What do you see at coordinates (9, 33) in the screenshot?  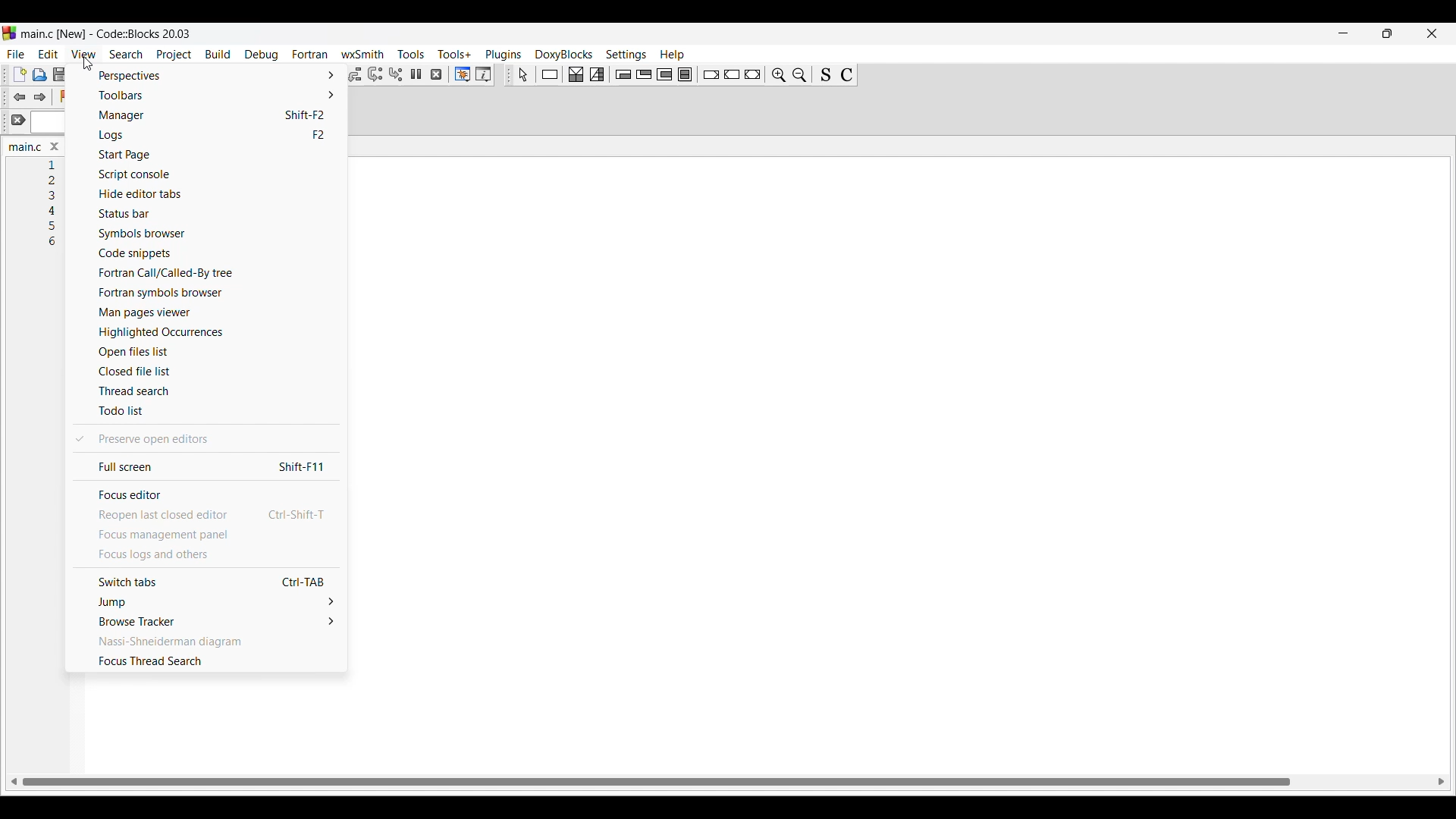 I see `Software logo` at bounding box center [9, 33].